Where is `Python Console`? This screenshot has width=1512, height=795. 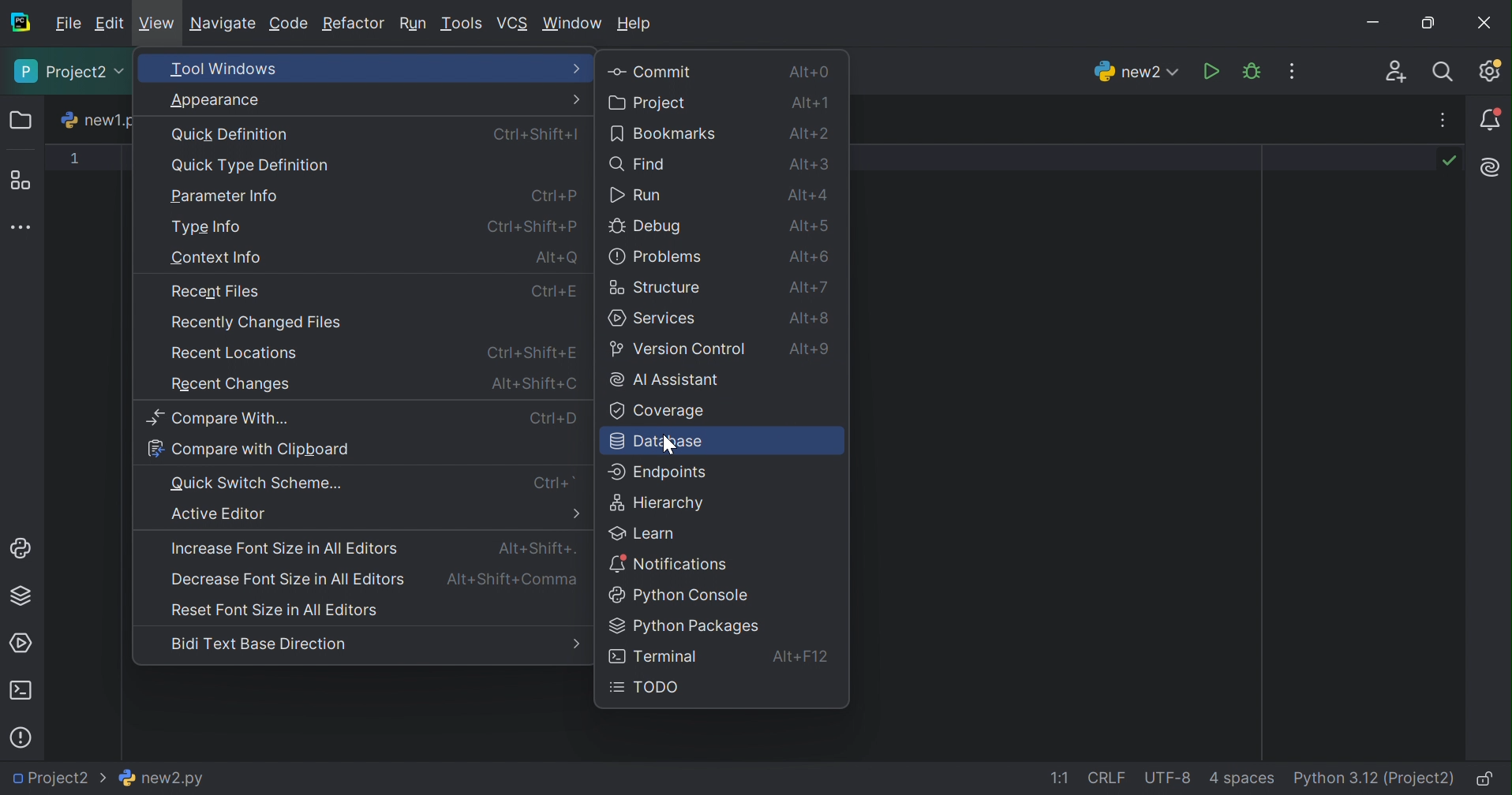
Python Console is located at coordinates (22, 550).